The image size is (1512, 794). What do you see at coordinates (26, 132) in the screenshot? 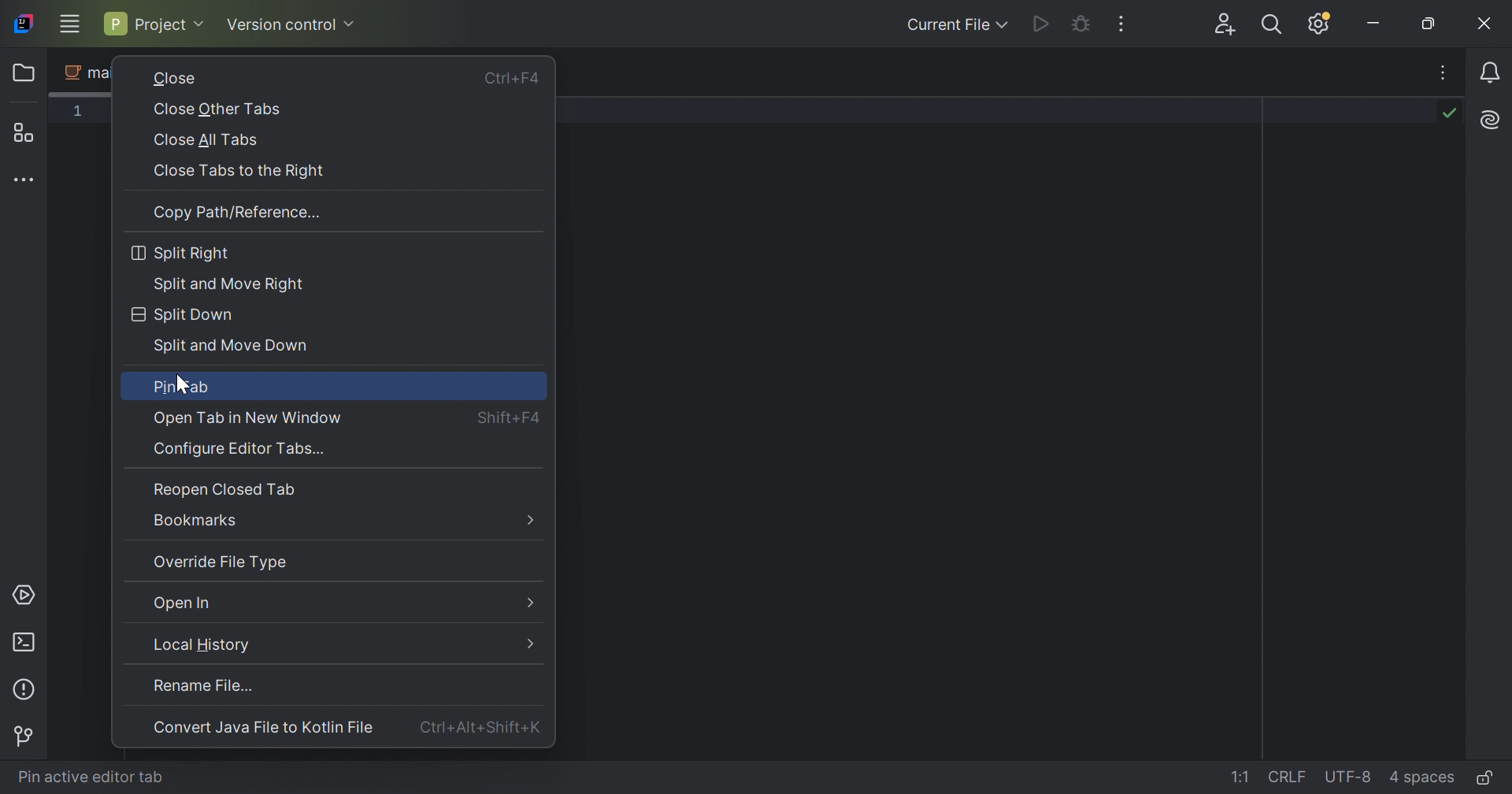
I see `Structure` at bounding box center [26, 132].